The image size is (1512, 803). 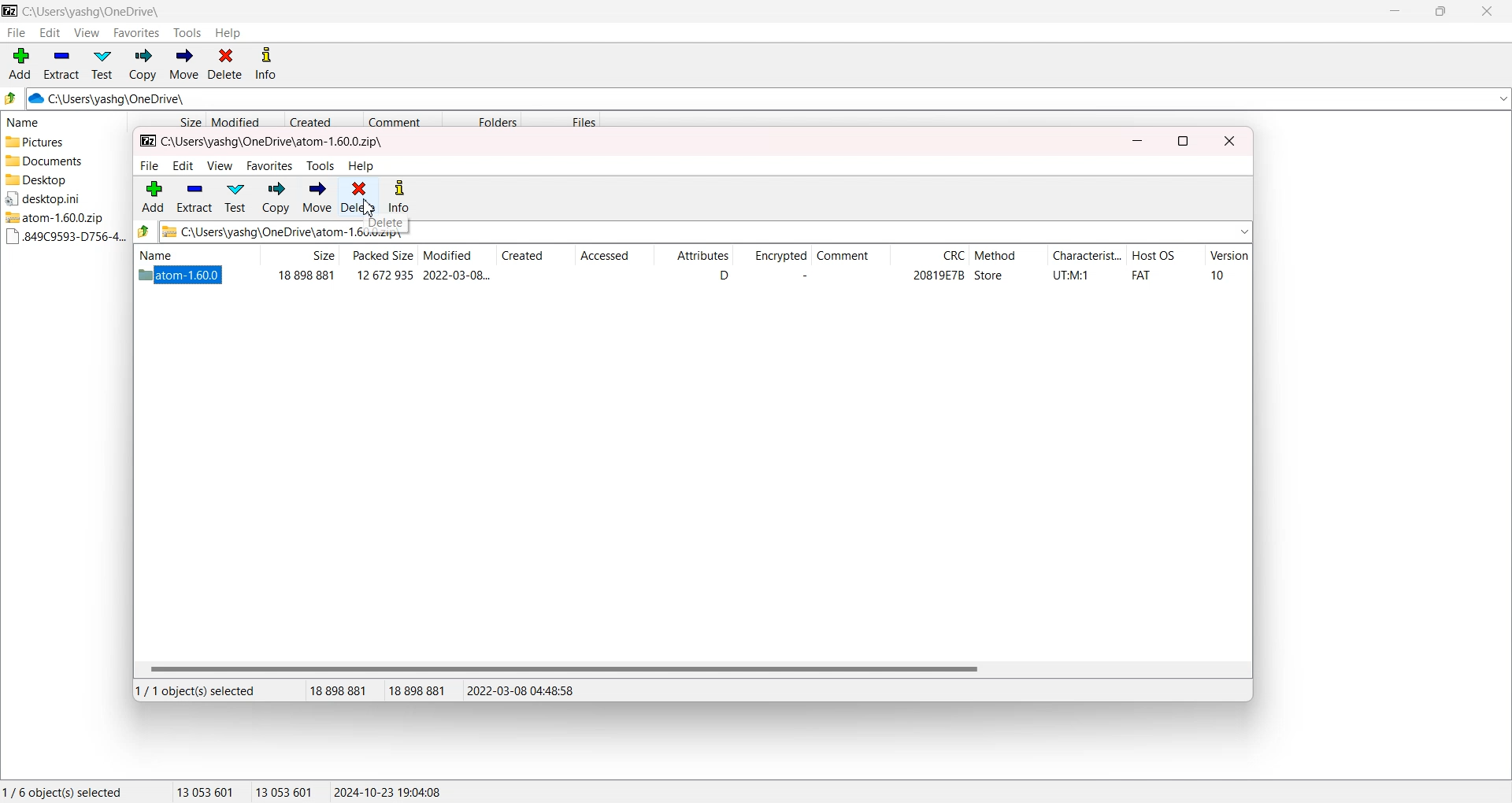 I want to click on View, so click(x=86, y=32).